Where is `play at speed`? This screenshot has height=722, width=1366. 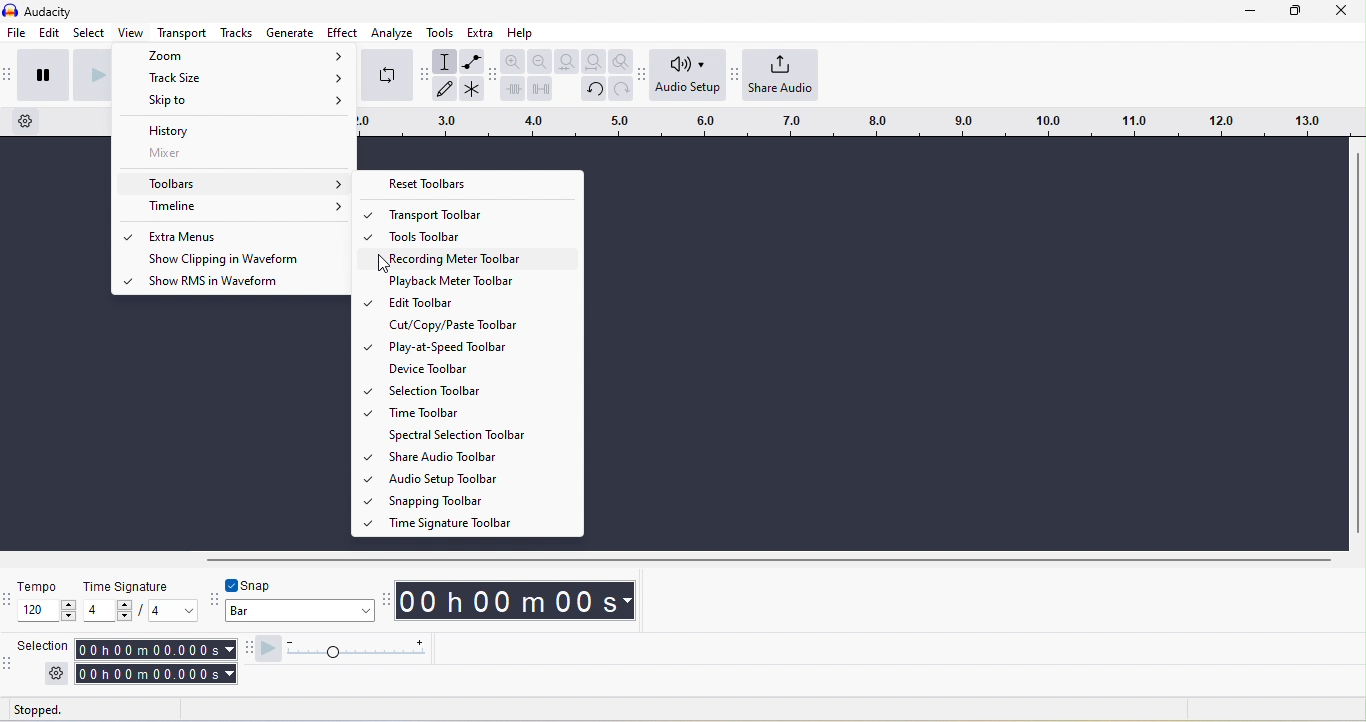 play at speed is located at coordinates (268, 650).